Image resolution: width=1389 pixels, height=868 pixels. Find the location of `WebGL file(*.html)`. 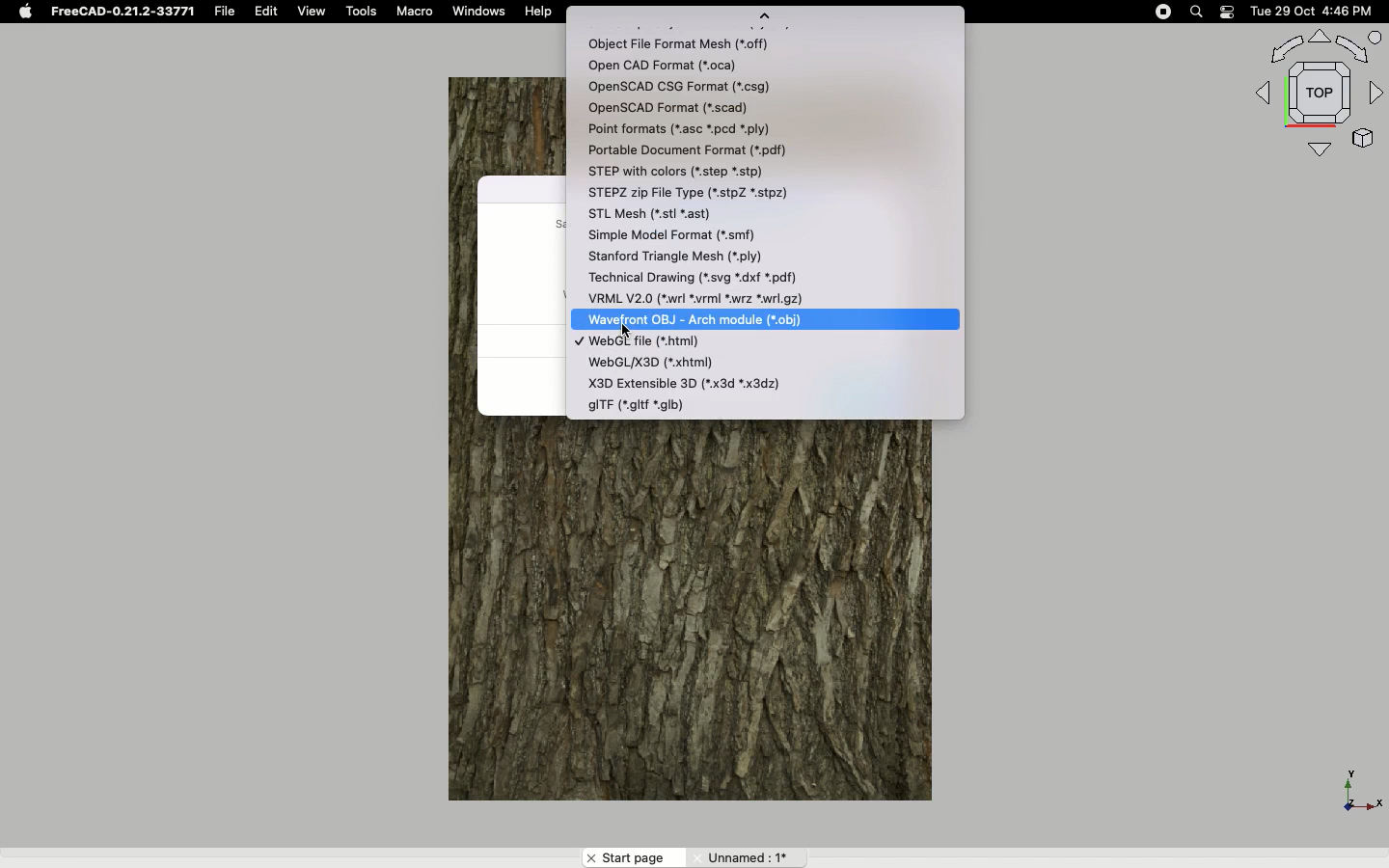

WebGL file(*.html) is located at coordinates (648, 342).